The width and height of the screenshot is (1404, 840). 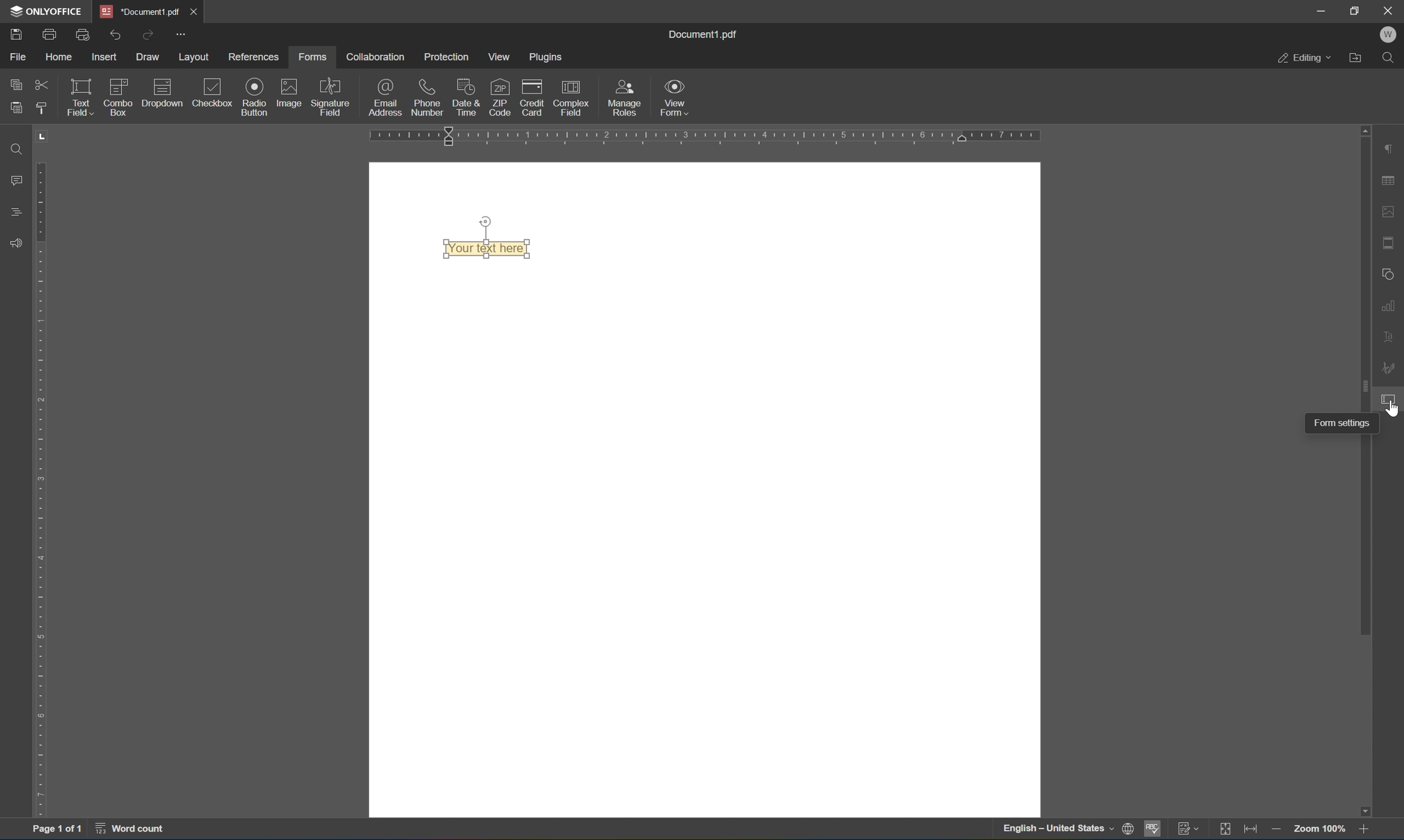 I want to click on form view, so click(x=673, y=96).